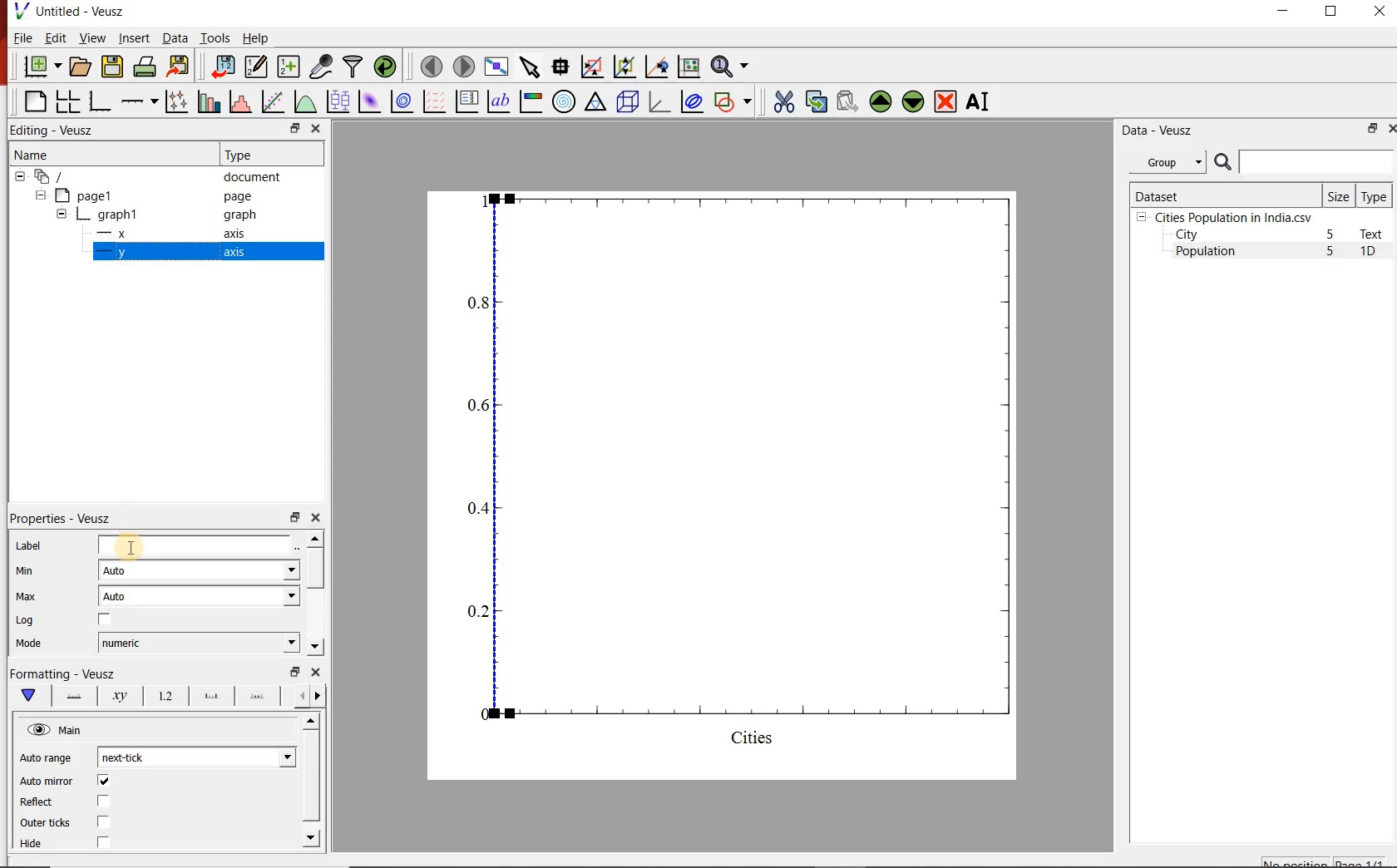 This screenshot has width=1397, height=868. What do you see at coordinates (595, 102) in the screenshot?
I see `Ternary graph` at bounding box center [595, 102].